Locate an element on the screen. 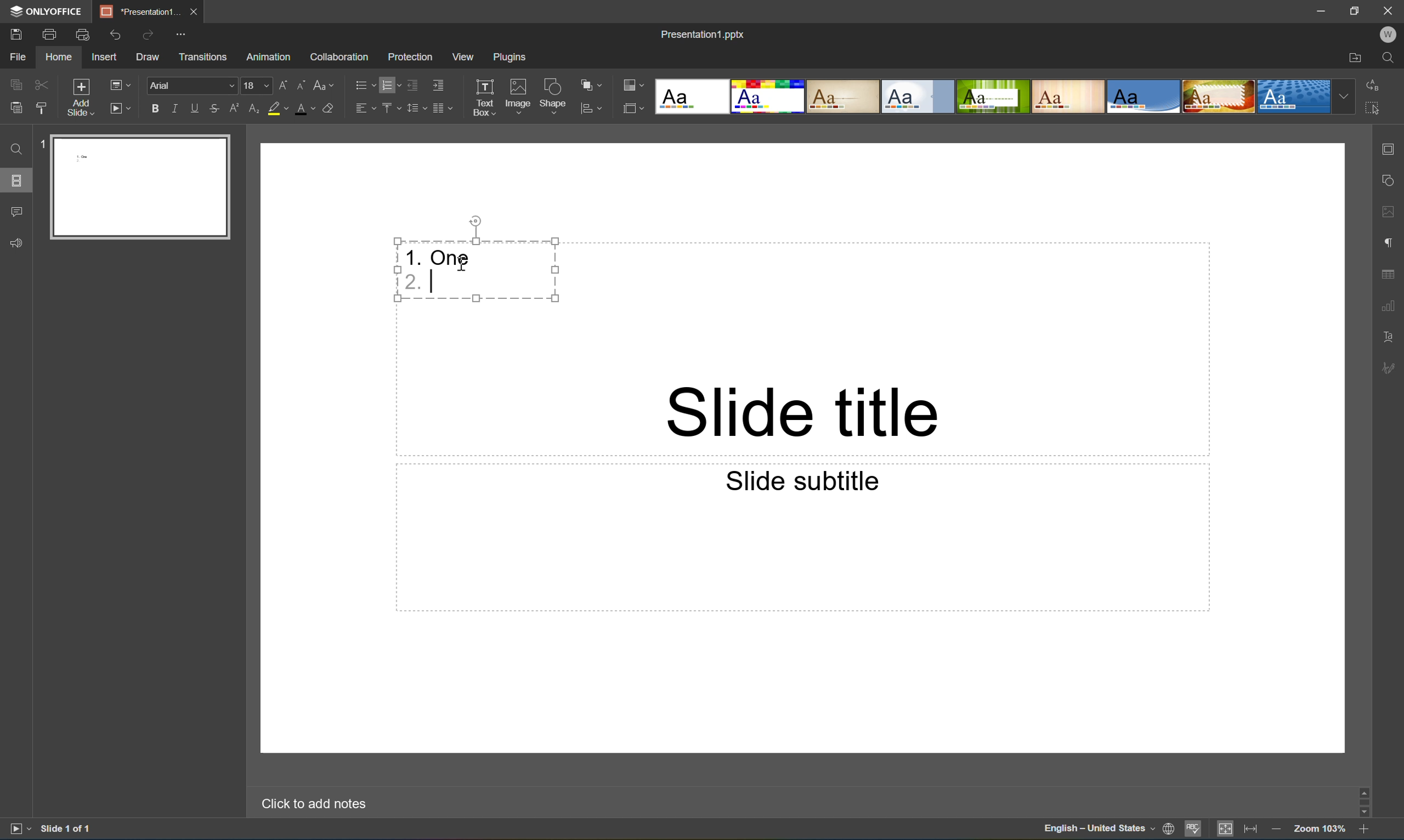  type of slides is located at coordinates (1007, 96).